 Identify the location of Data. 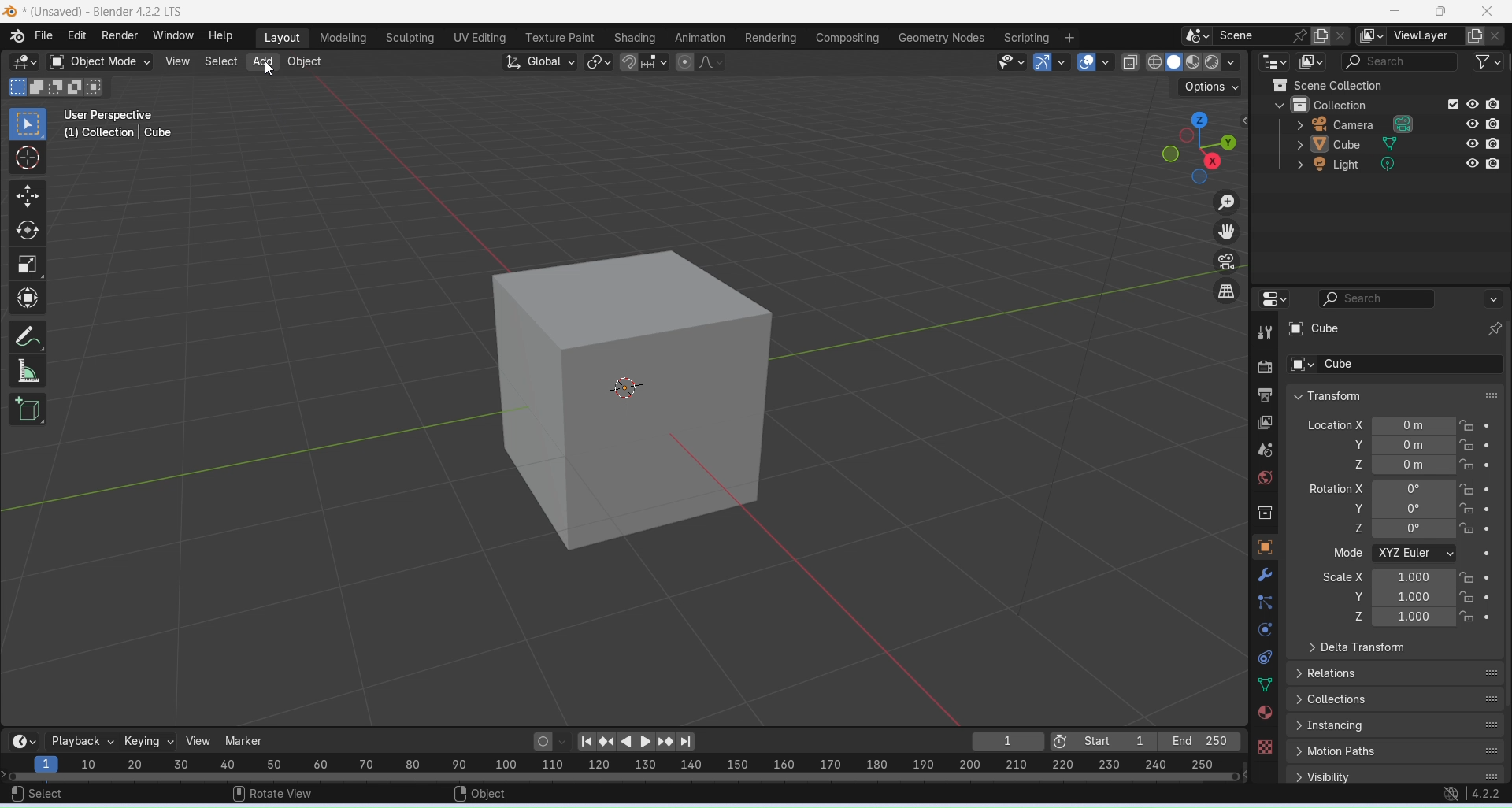
(1266, 685).